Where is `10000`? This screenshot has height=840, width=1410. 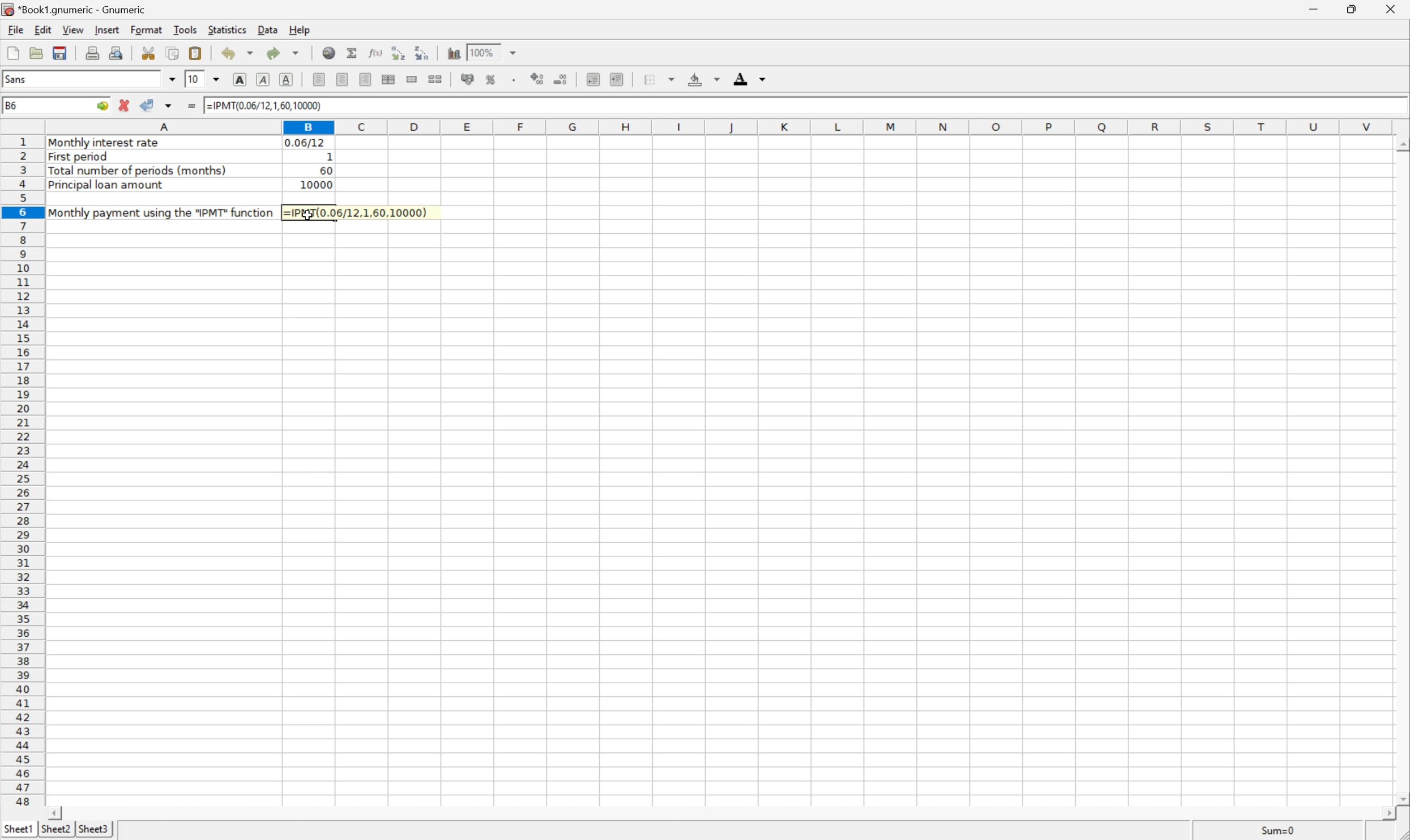
10000 is located at coordinates (313, 186).